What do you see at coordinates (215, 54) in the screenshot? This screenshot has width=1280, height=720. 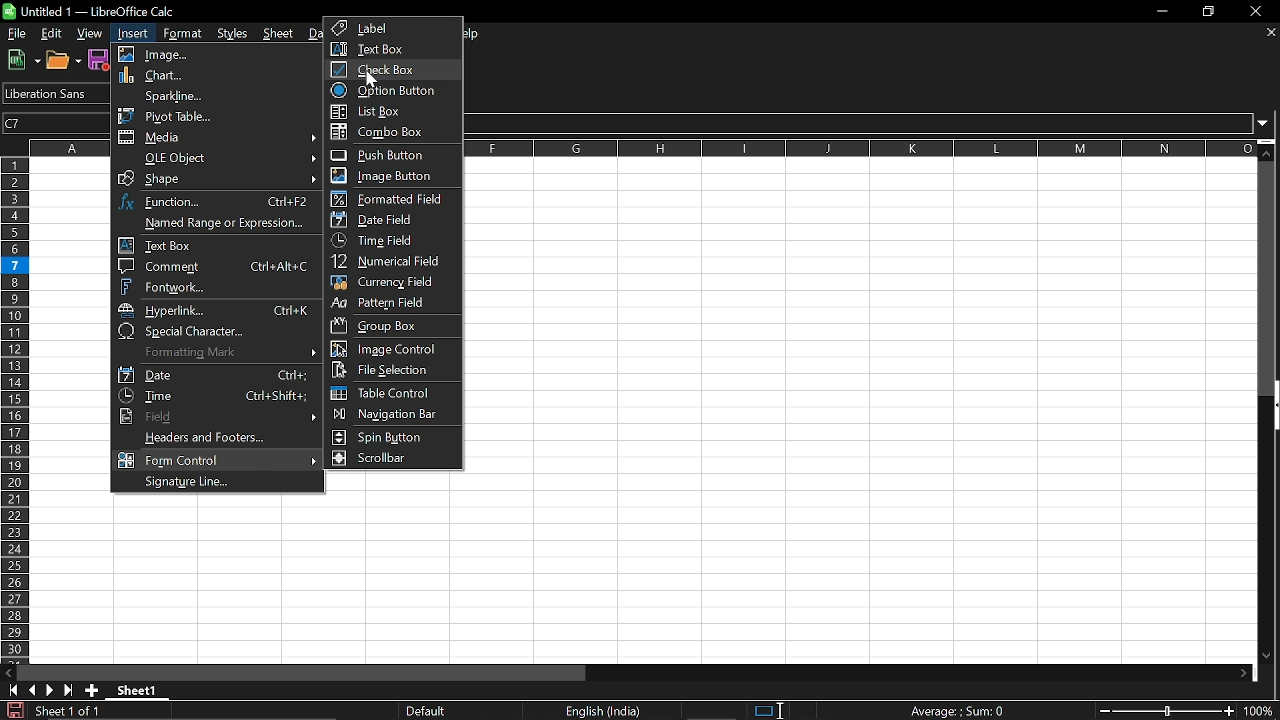 I see `Image` at bounding box center [215, 54].